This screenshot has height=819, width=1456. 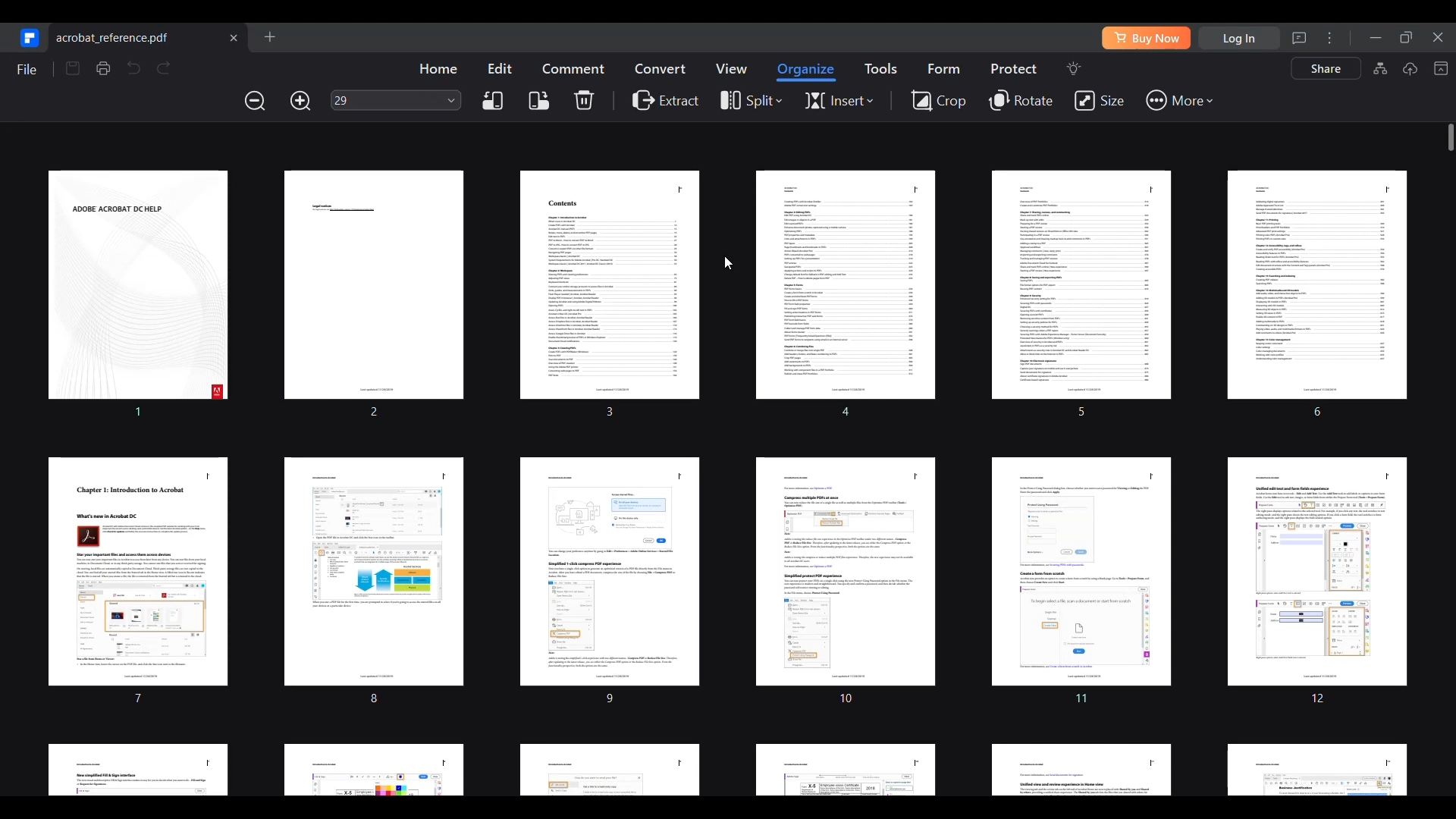 What do you see at coordinates (539, 101) in the screenshot?
I see `Right rotate` at bounding box center [539, 101].